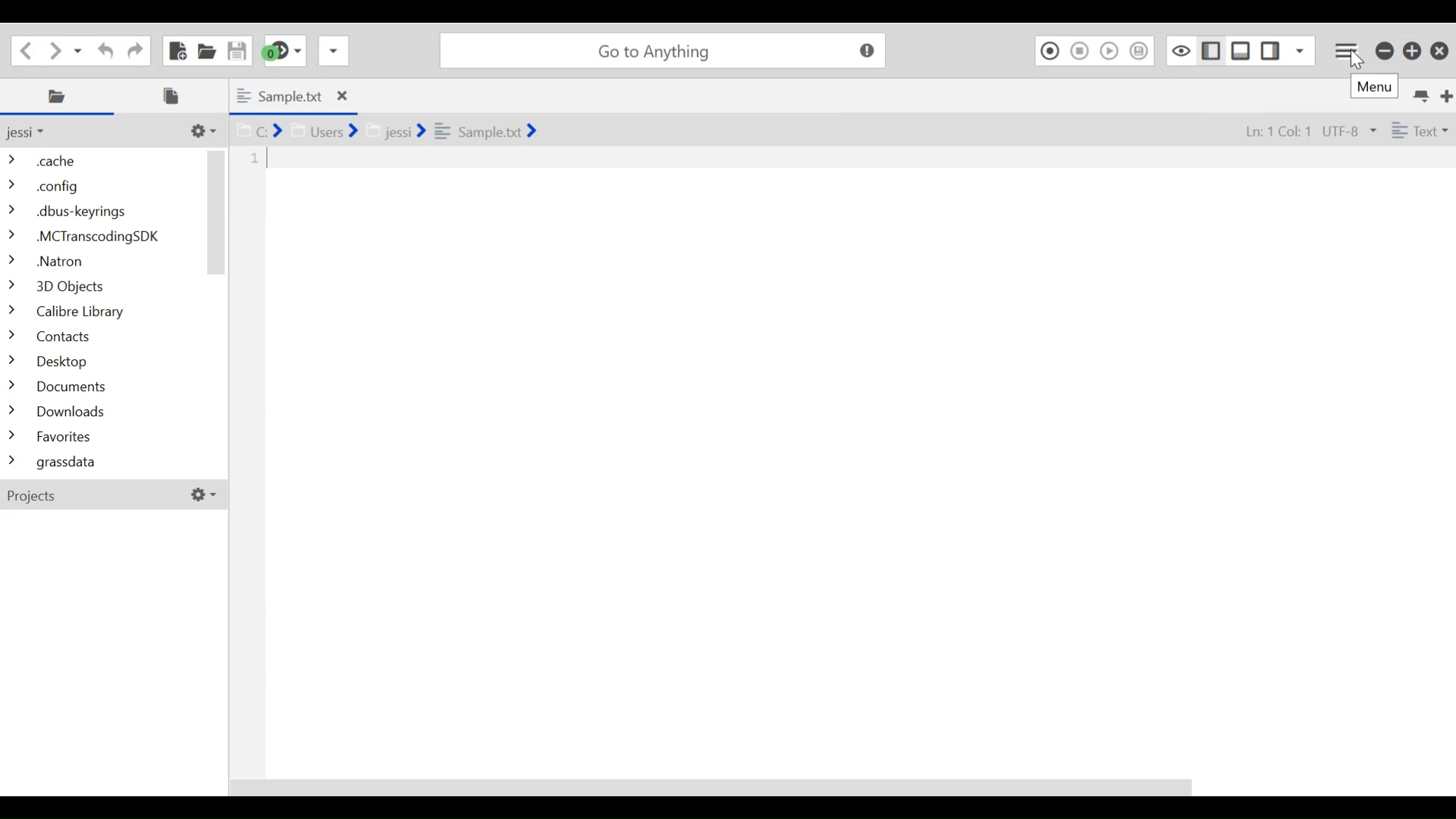 This screenshot has height=819, width=1456. I want to click on Close, so click(1439, 52).